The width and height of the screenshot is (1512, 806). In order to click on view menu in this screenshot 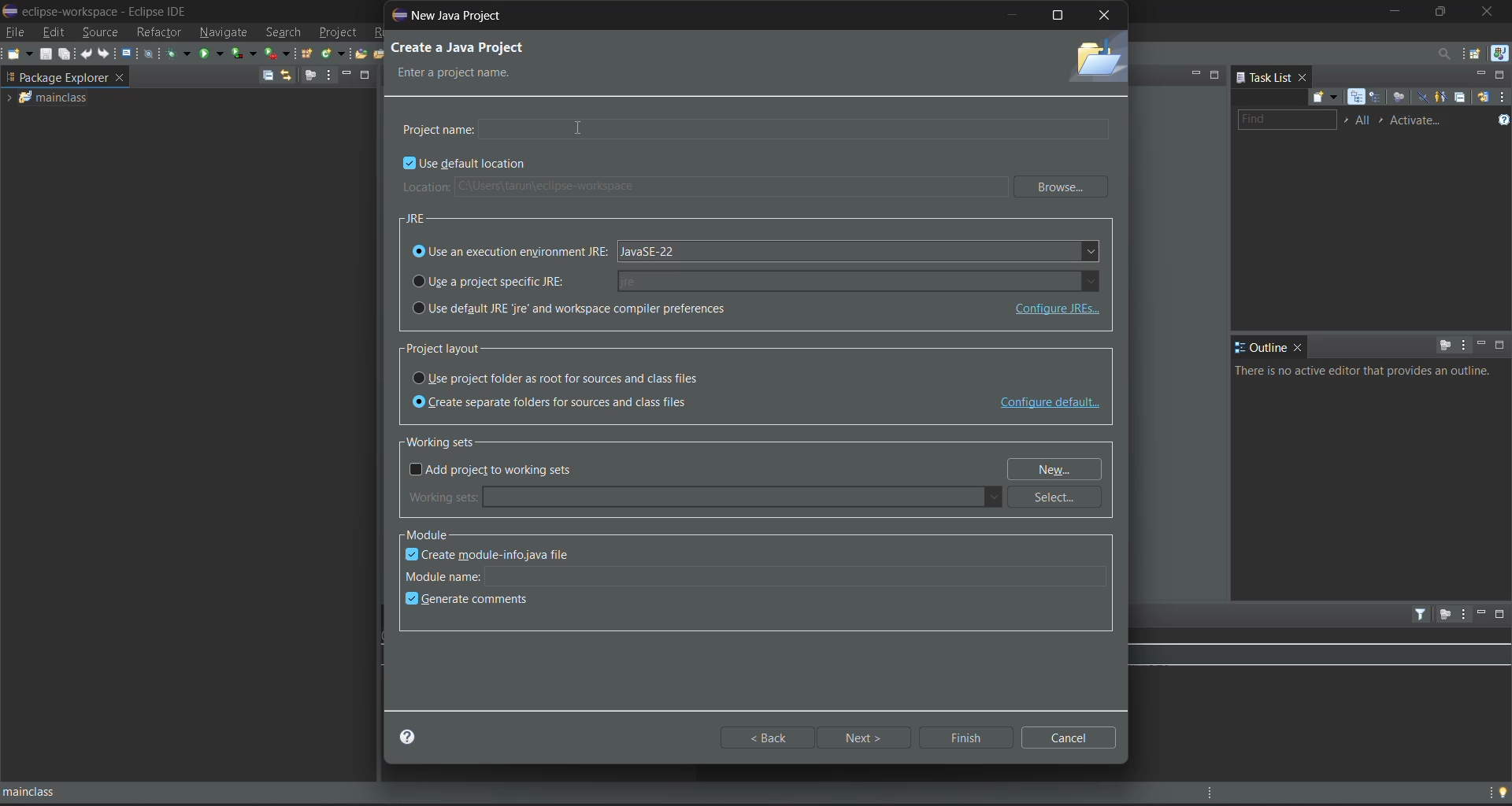, I will do `click(1462, 344)`.